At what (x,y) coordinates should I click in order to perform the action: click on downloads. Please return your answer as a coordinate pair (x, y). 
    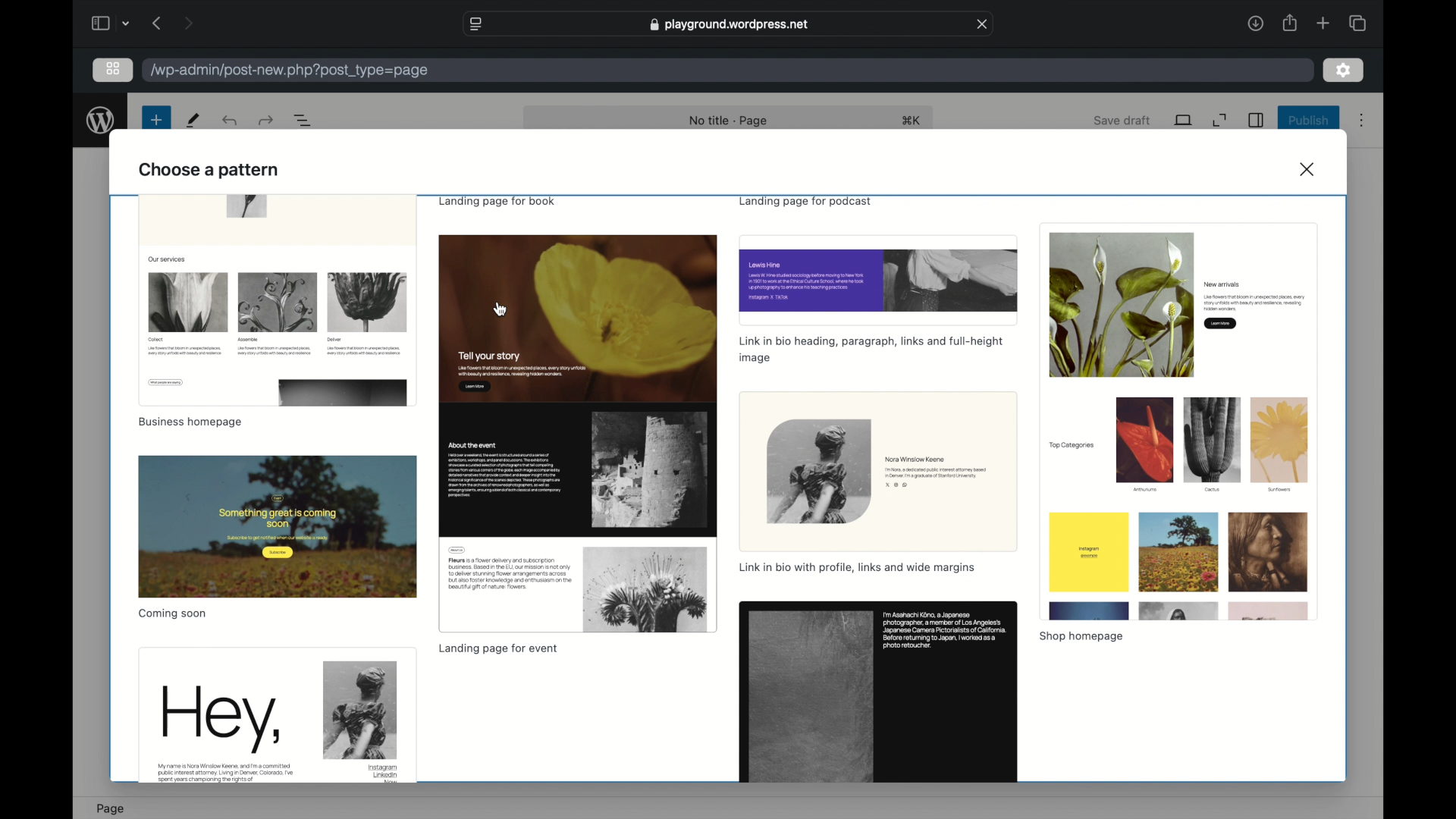
    Looking at the image, I should click on (1255, 23).